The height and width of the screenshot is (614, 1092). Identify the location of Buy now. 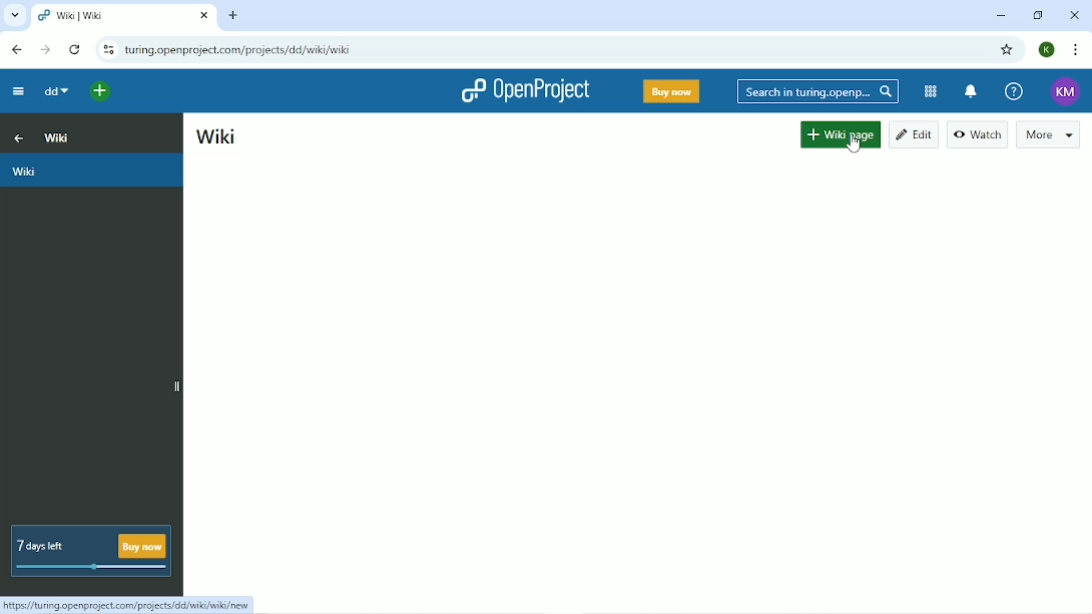
(673, 92).